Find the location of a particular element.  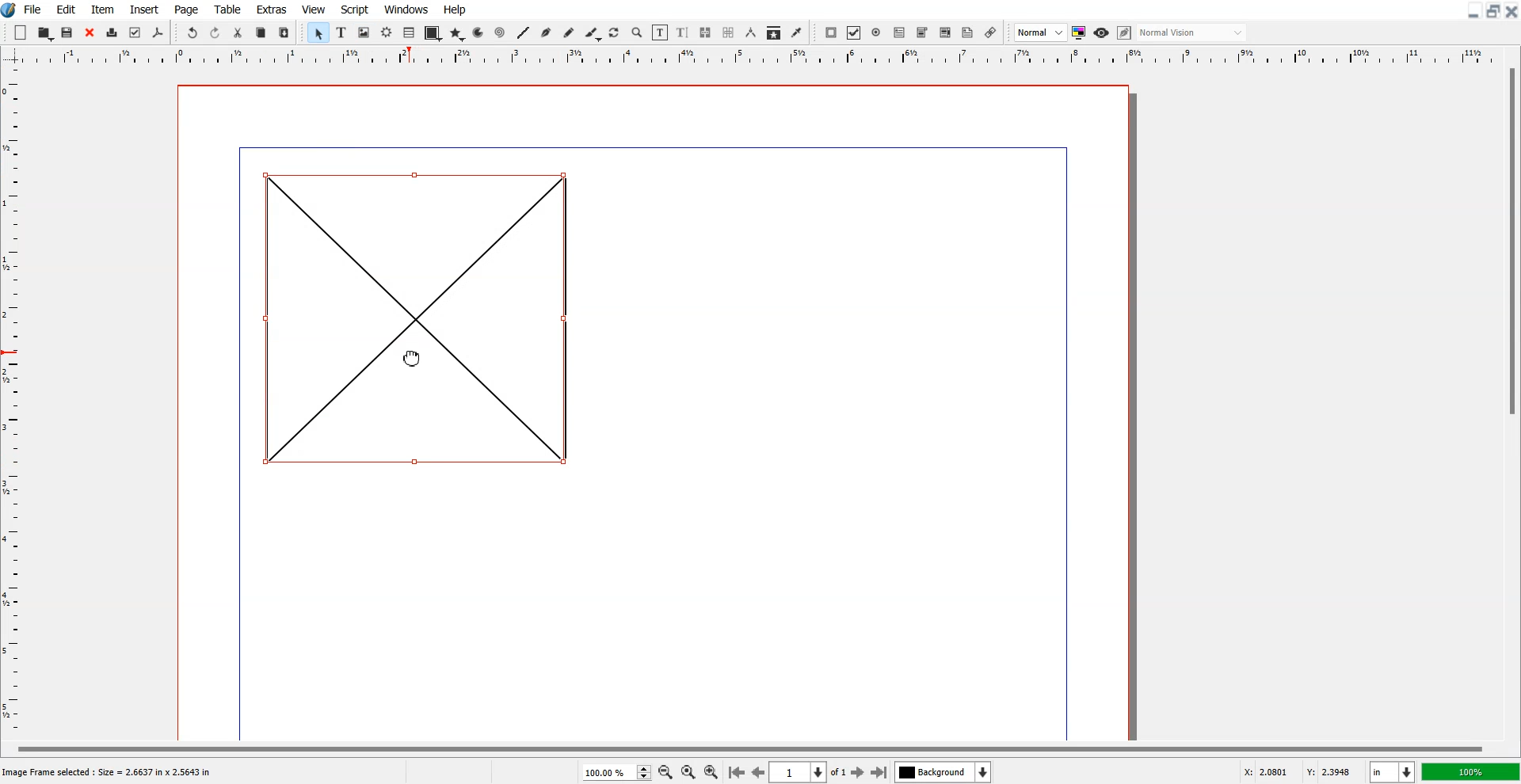

PDF Text Field is located at coordinates (899, 32).